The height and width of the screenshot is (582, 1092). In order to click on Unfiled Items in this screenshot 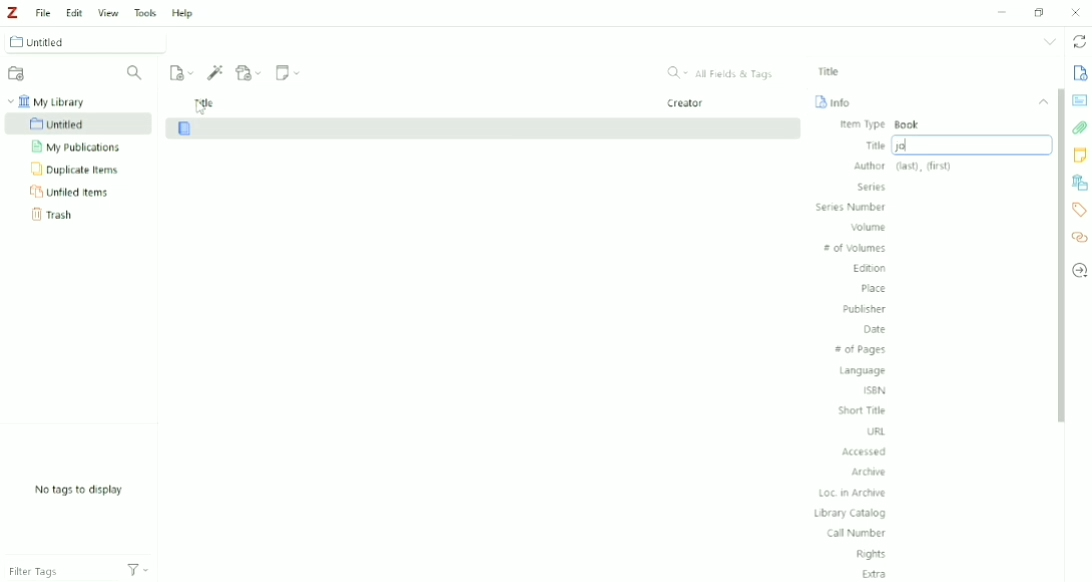, I will do `click(73, 192)`.